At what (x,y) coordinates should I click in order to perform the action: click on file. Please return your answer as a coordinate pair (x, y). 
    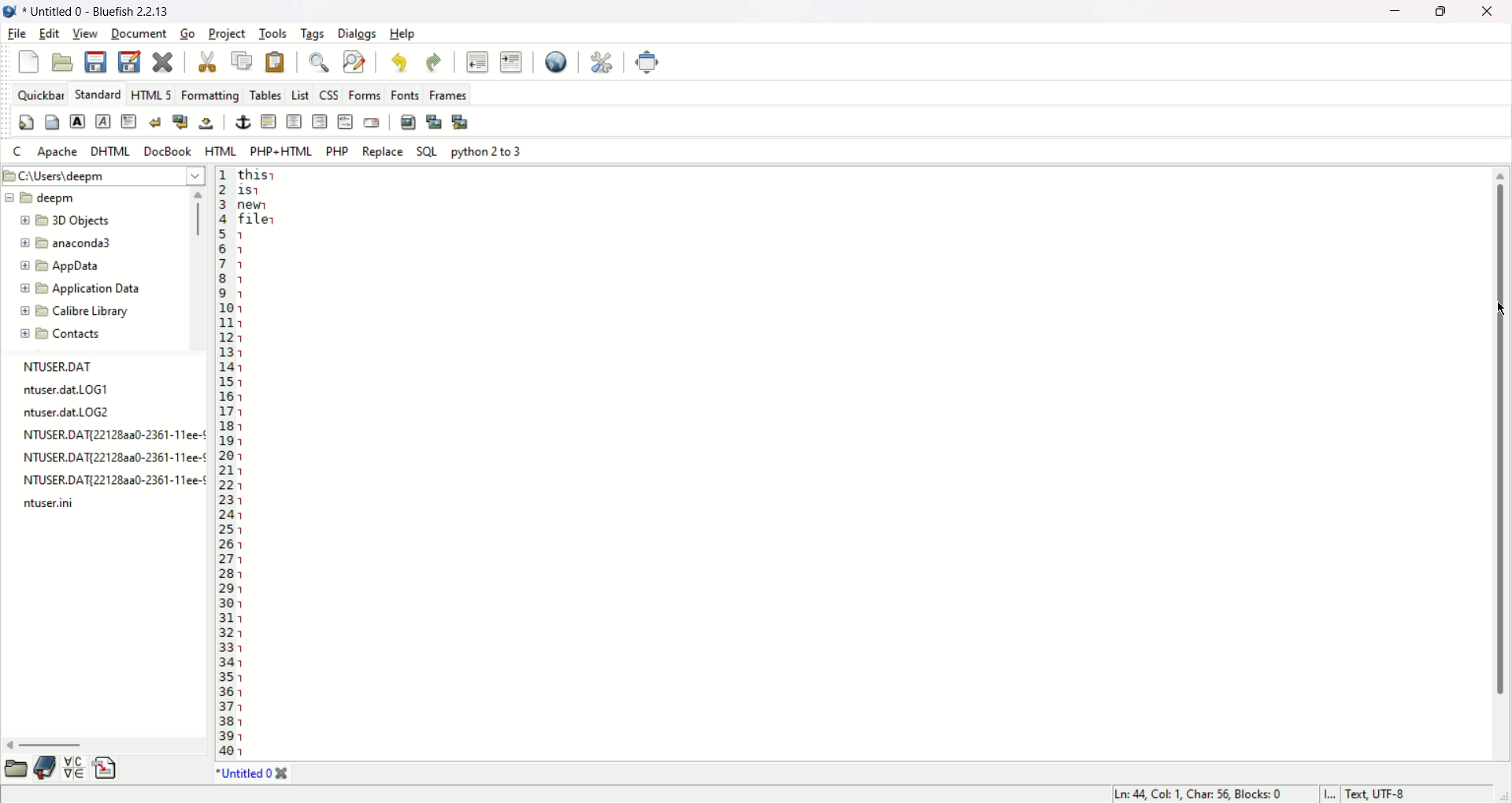
    Looking at the image, I should click on (16, 35).